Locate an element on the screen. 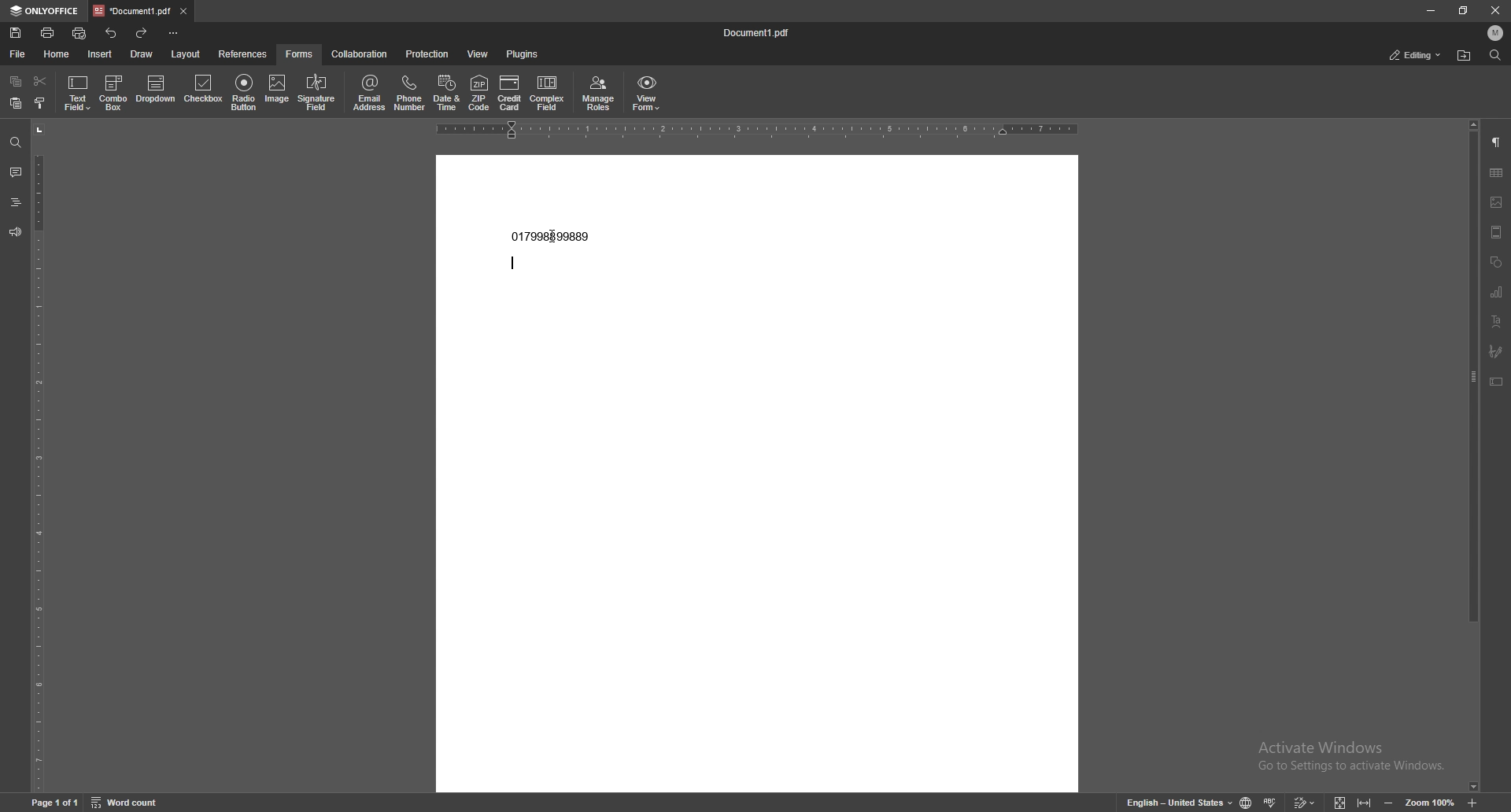  zoom in is located at coordinates (1472, 803).